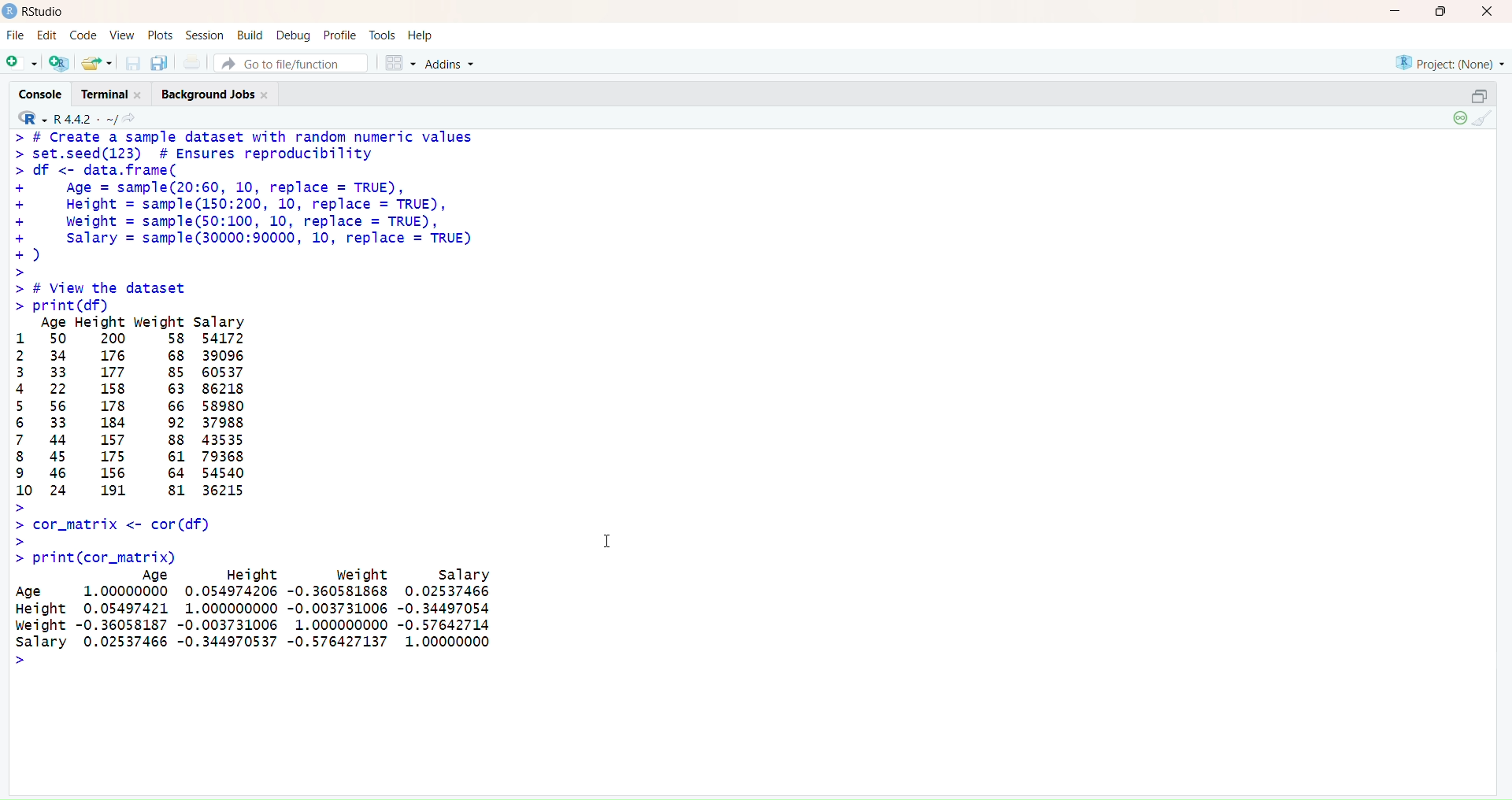 This screenshot has width=1512, height=800. What do you see at coordinates (132, 63) in the screenshot?
I see `Save current document (Ctrl + S)` at bounding box center [132, 63].